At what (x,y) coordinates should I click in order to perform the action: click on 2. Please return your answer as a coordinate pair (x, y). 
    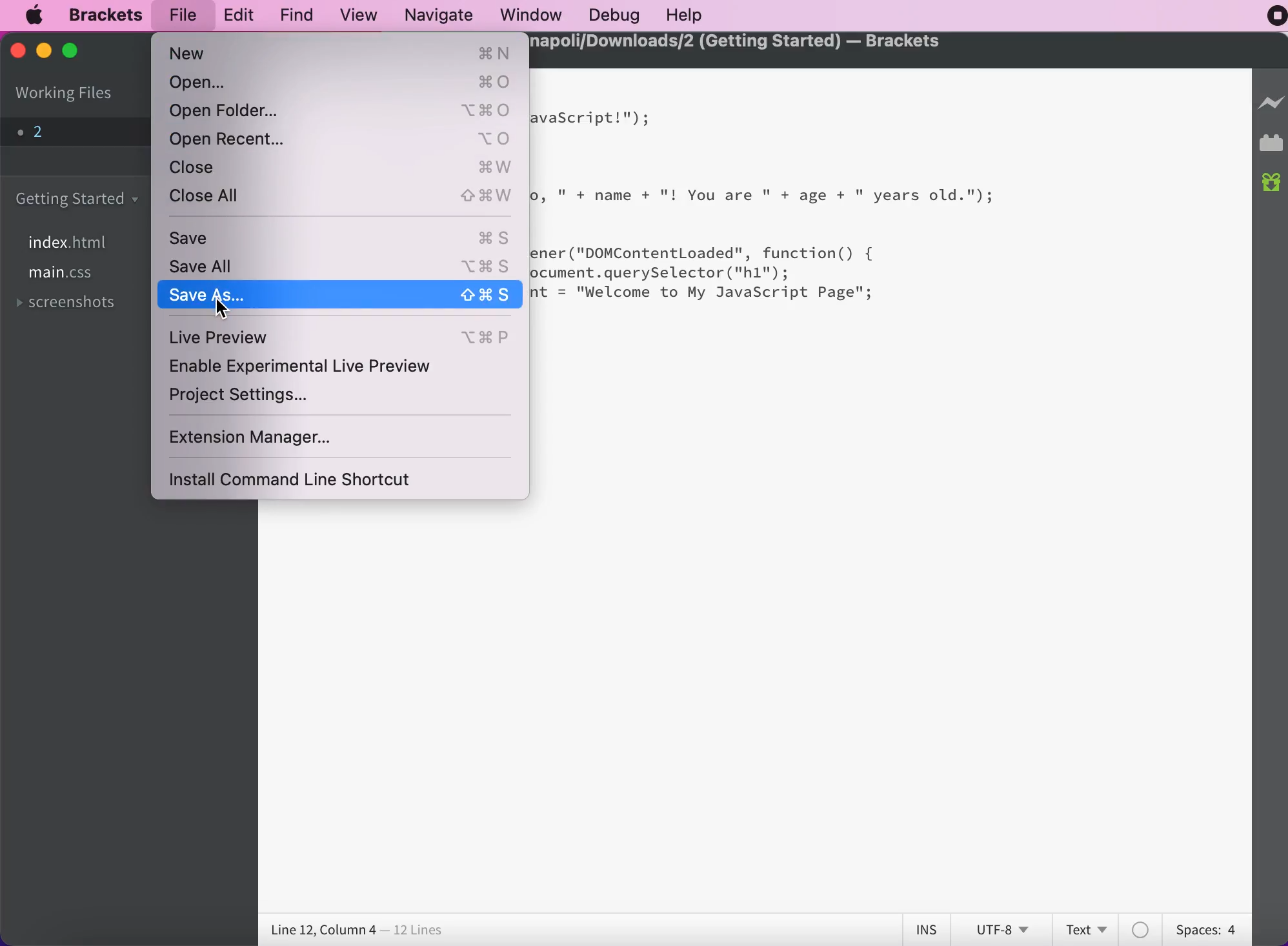
    Looking at the image, I should click on (72, 130).